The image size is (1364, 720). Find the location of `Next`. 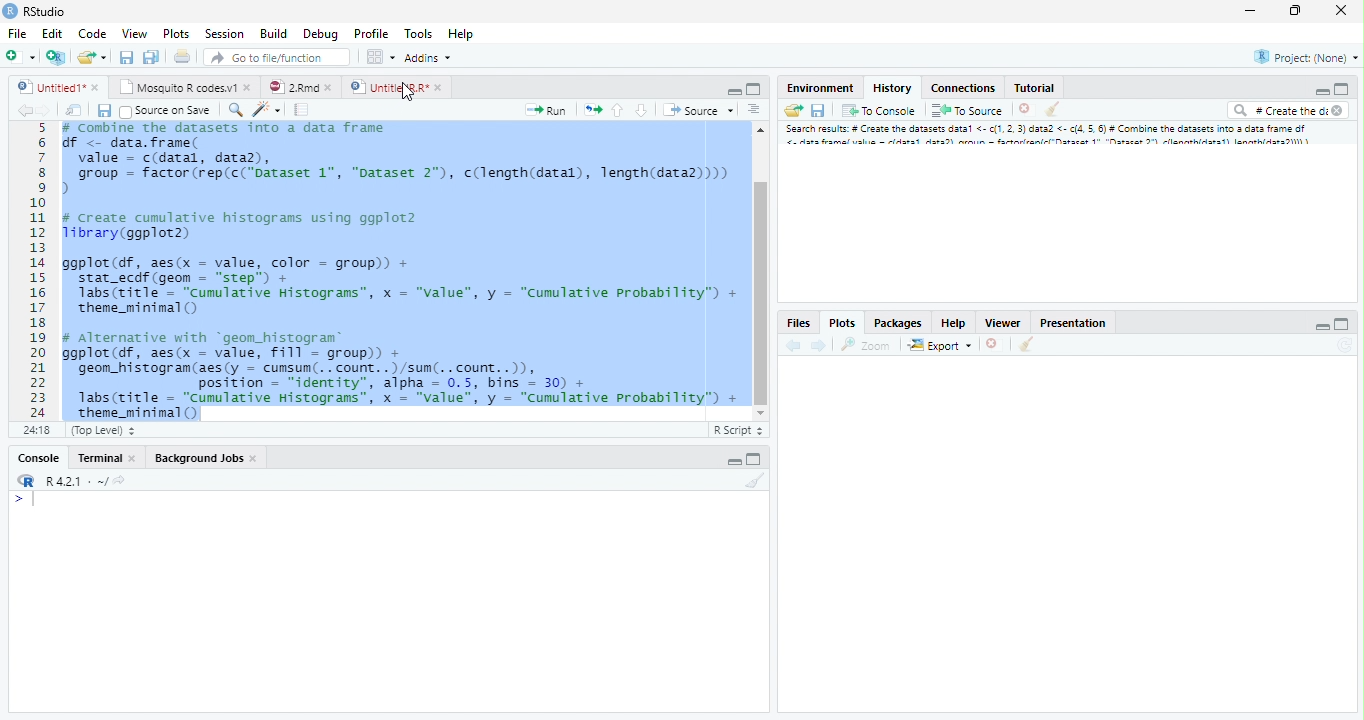

Next is located at coordinates (818, 347).